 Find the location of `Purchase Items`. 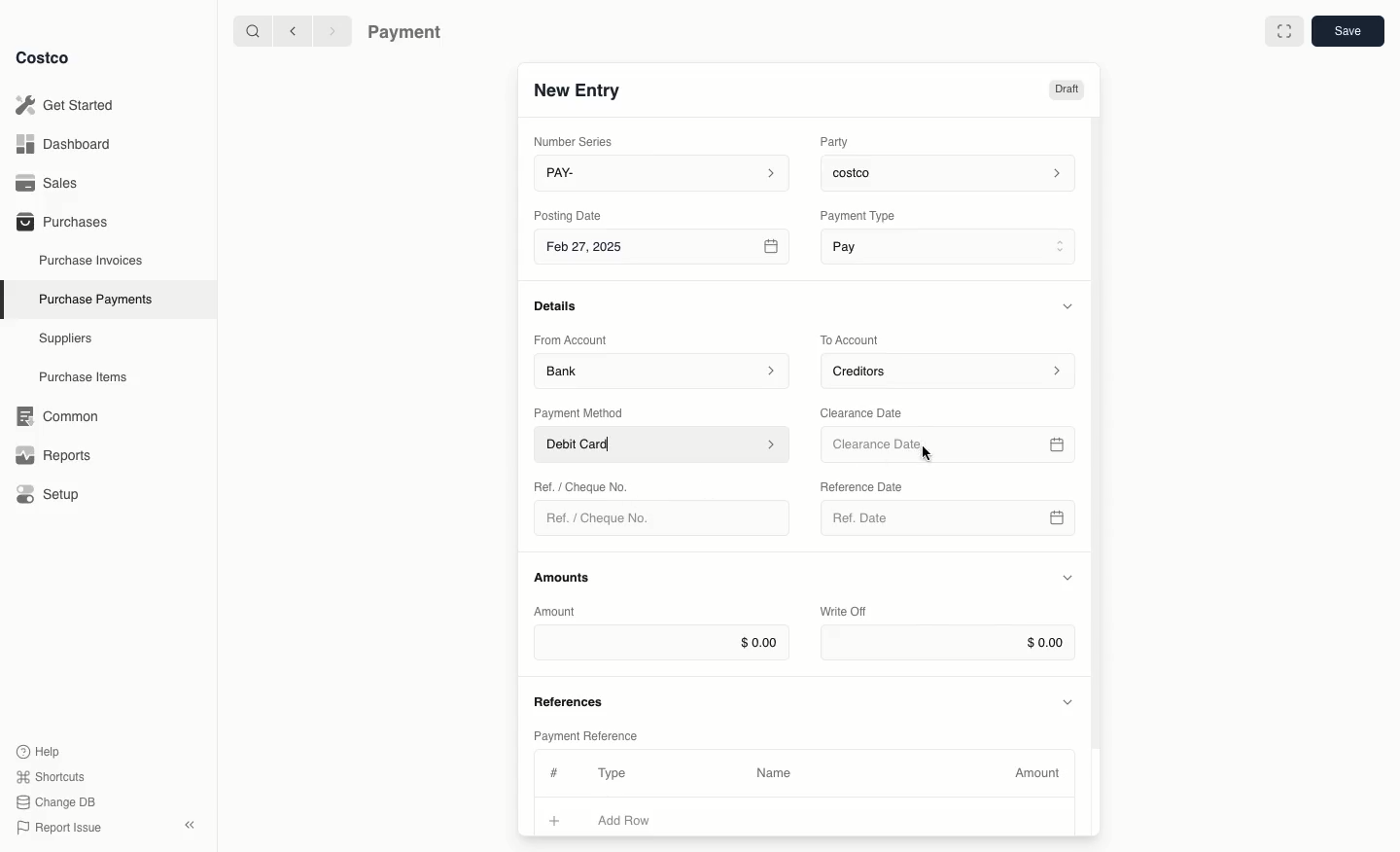

Purchase Items is located at coordinates (86, 377).